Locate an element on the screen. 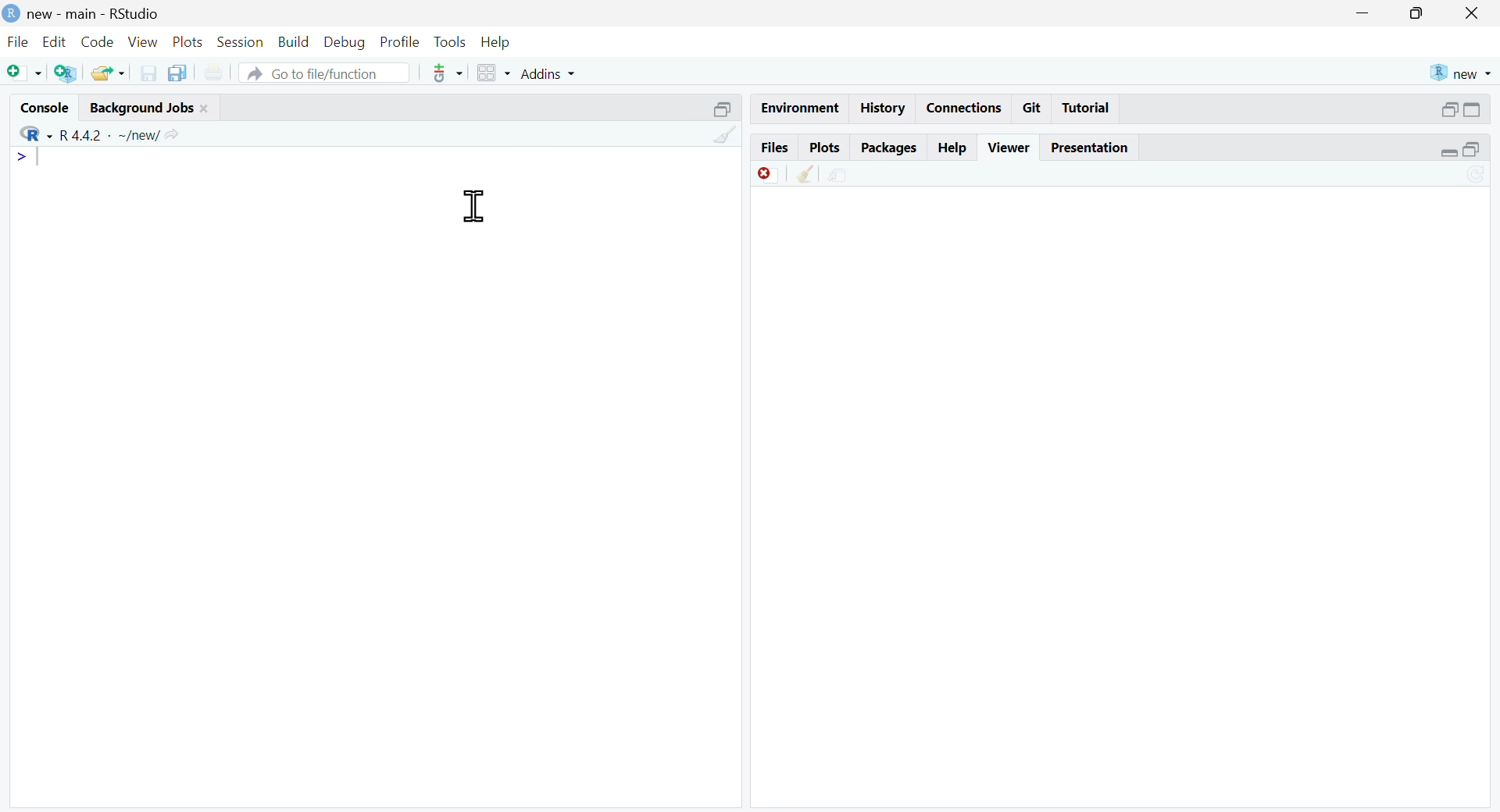 This screenshot has height=812, width=1500. build is located at coordinates (295, 42).